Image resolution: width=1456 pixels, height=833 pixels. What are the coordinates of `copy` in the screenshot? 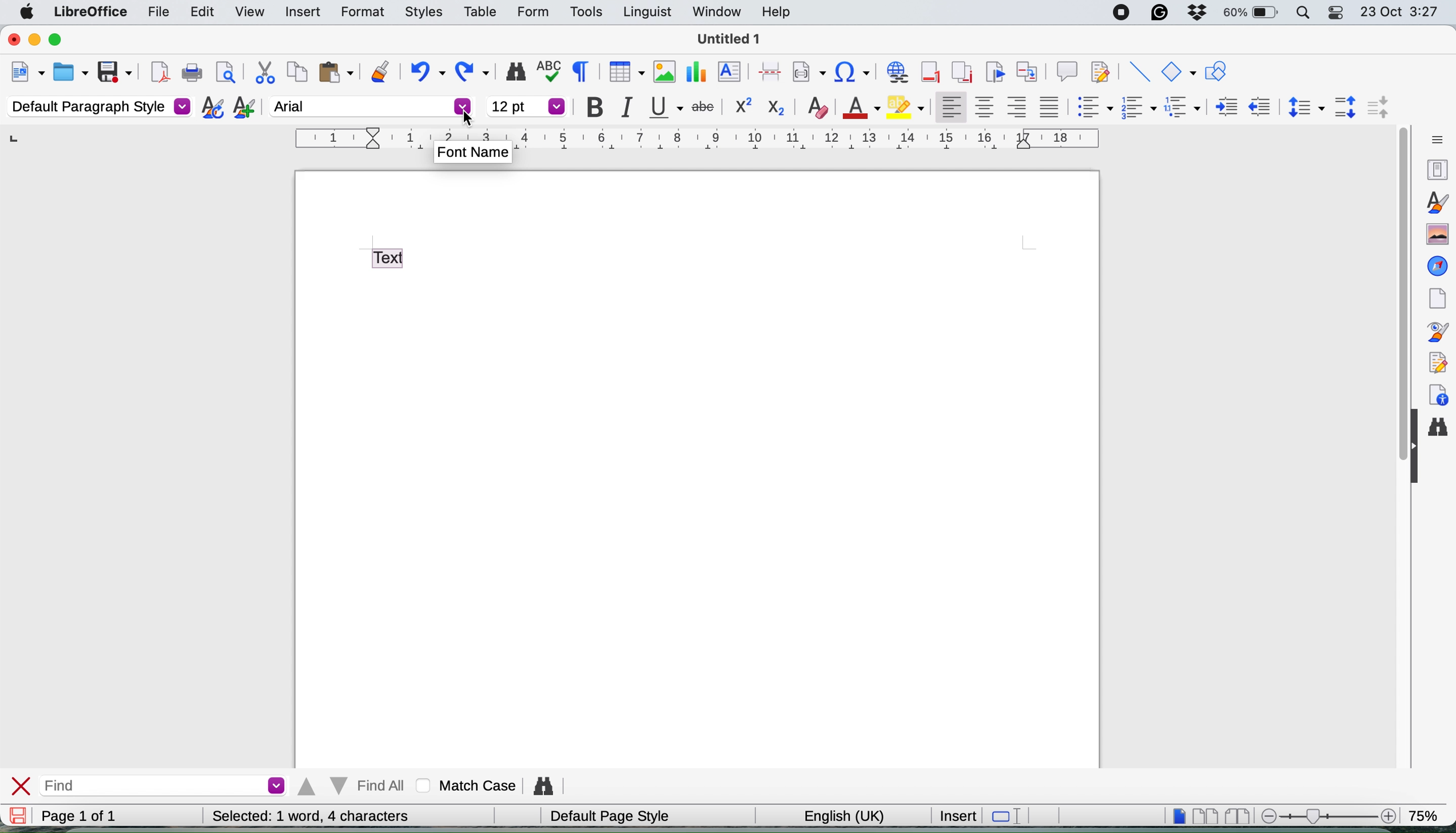 It's located at (296, 74).